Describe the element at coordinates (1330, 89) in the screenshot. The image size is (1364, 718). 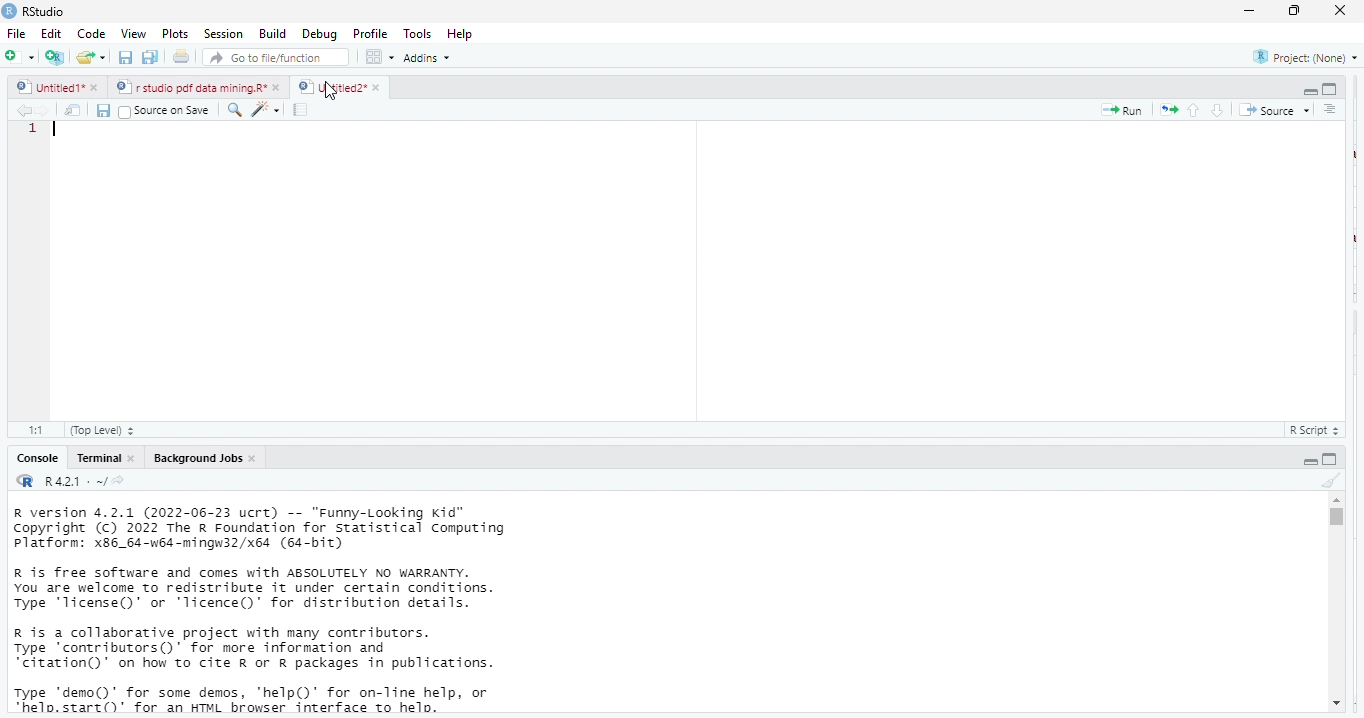
I see `hide console` at that location.